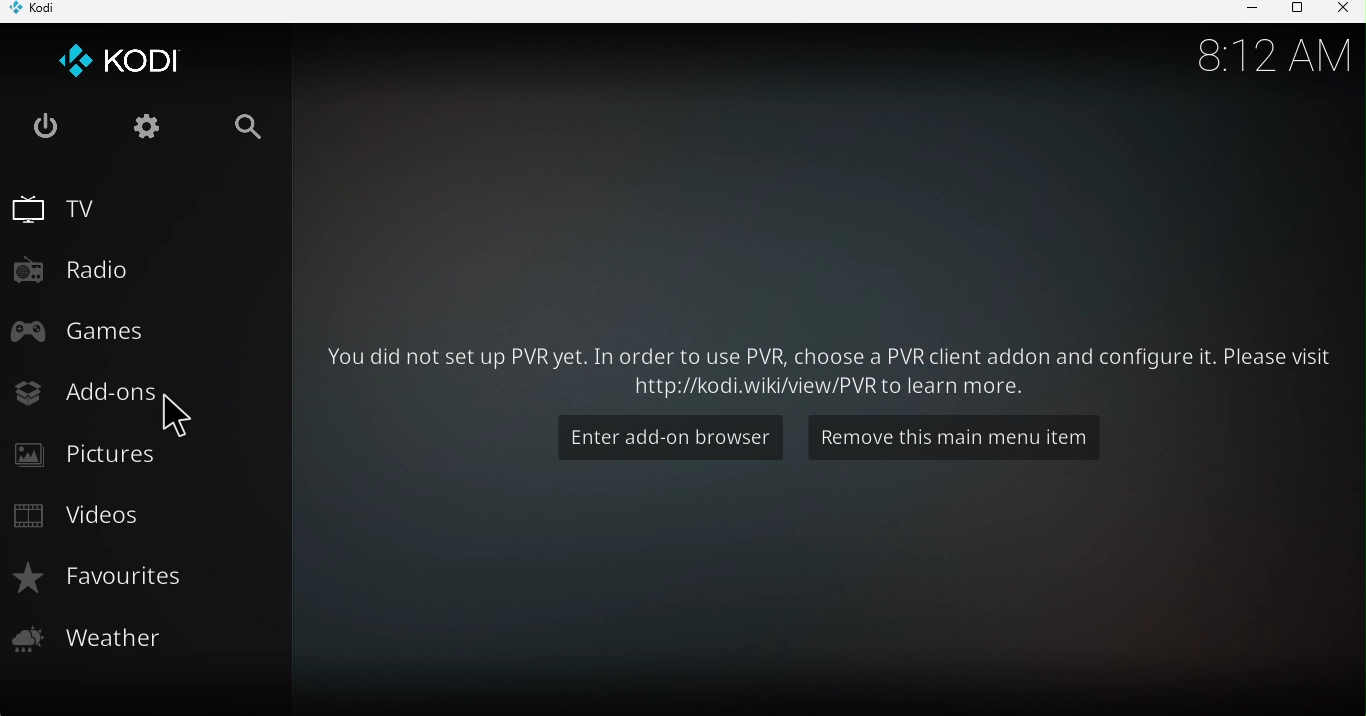  Describe the element at coordinates (98, 454) in the screenshot. I see `Pictures` at that location.